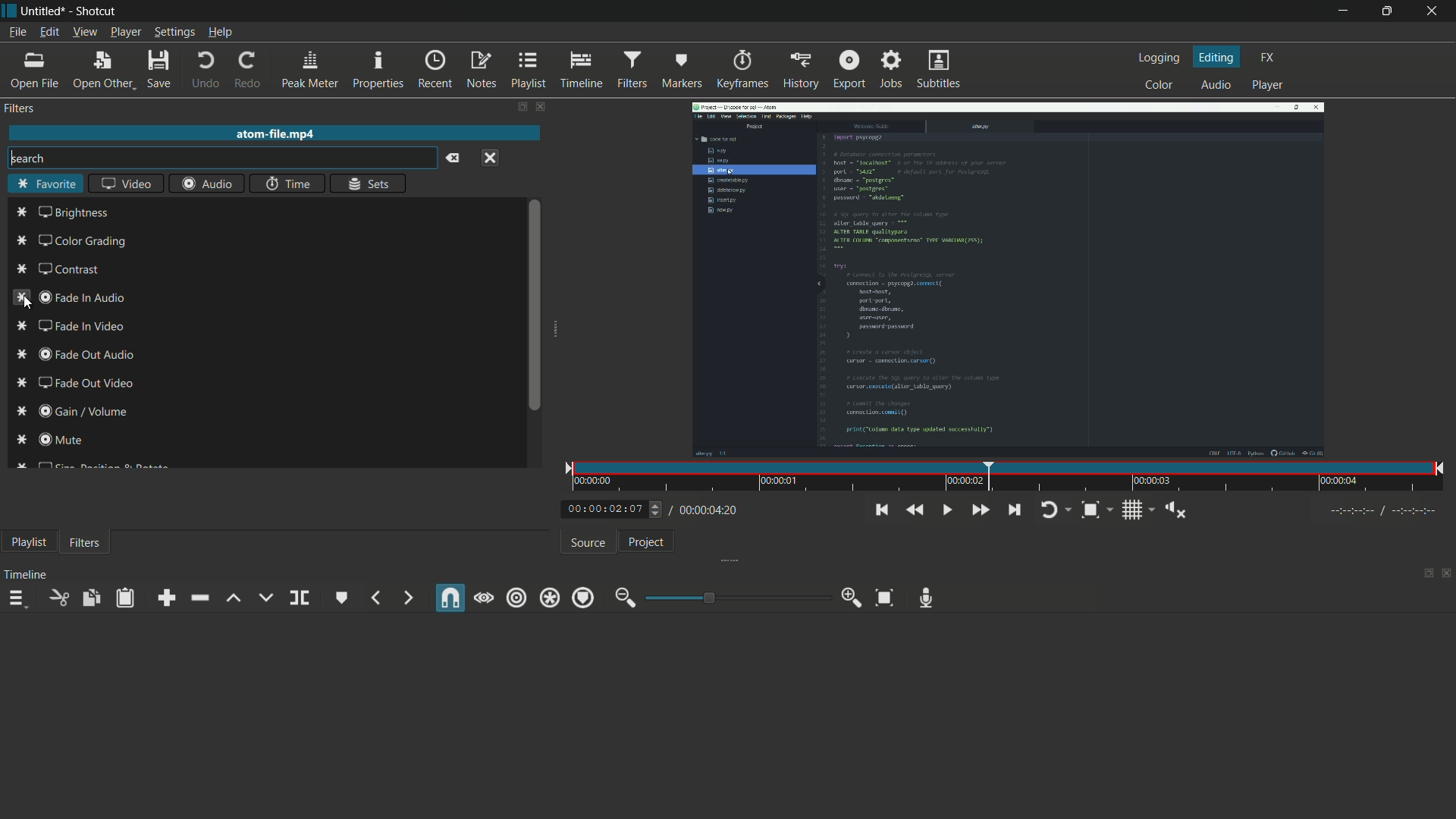  What do you see at coordinates (44, 11) in the screenshot?
I see `project name` at bounding box center [44, 11].